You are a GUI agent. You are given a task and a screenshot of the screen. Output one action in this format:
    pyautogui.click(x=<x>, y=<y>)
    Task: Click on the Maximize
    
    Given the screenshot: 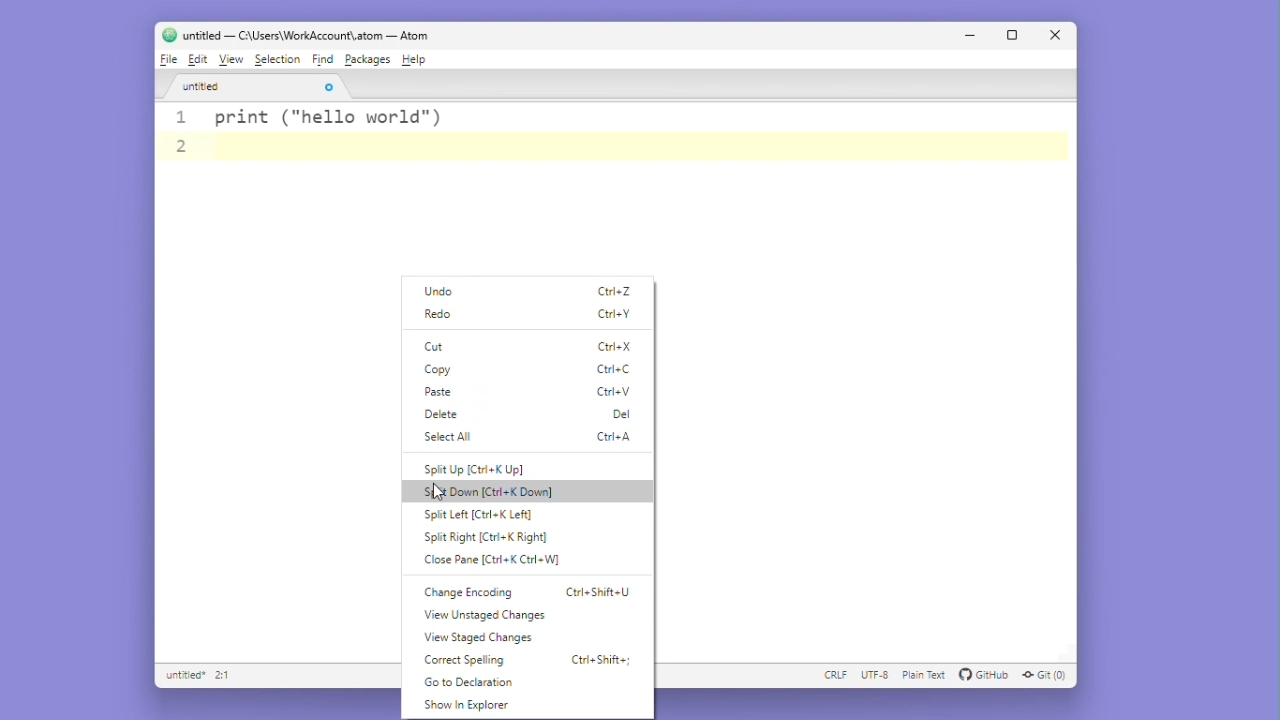 What is the action you would take?
    pyautogui.click(x=1014, y=37)
    